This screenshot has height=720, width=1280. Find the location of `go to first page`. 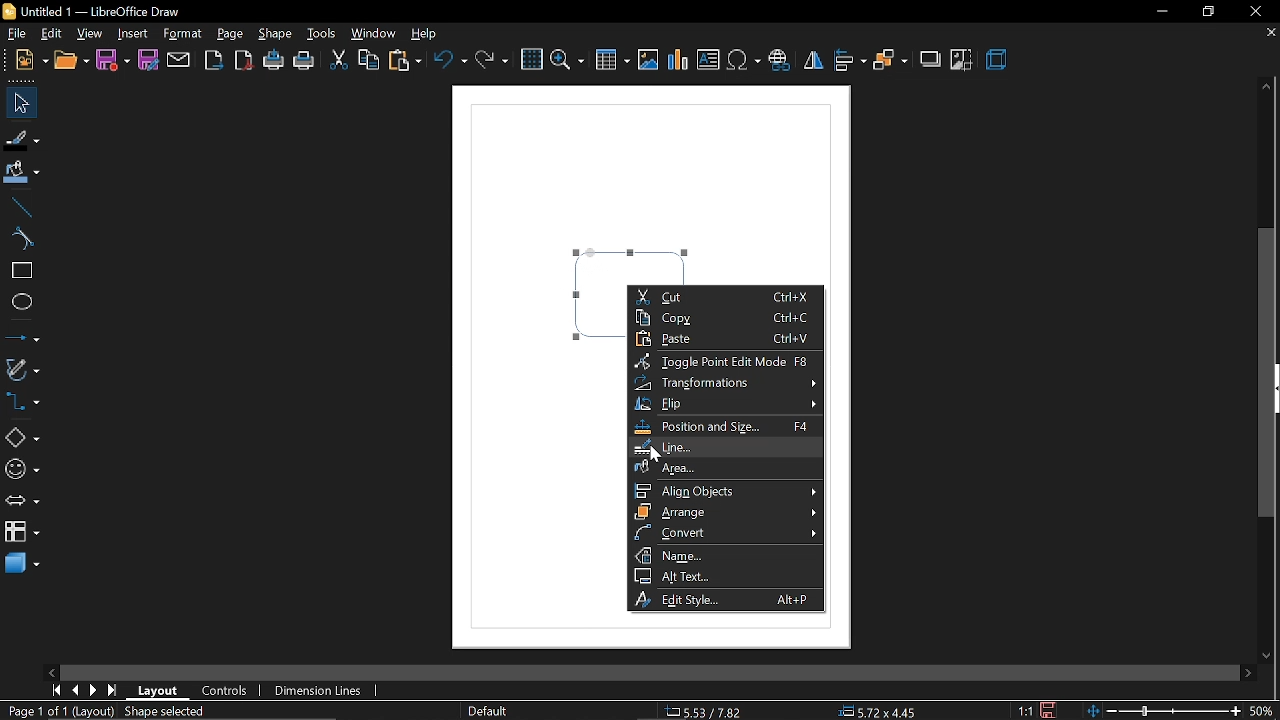

go to first page is located at coordinates (54, 690).